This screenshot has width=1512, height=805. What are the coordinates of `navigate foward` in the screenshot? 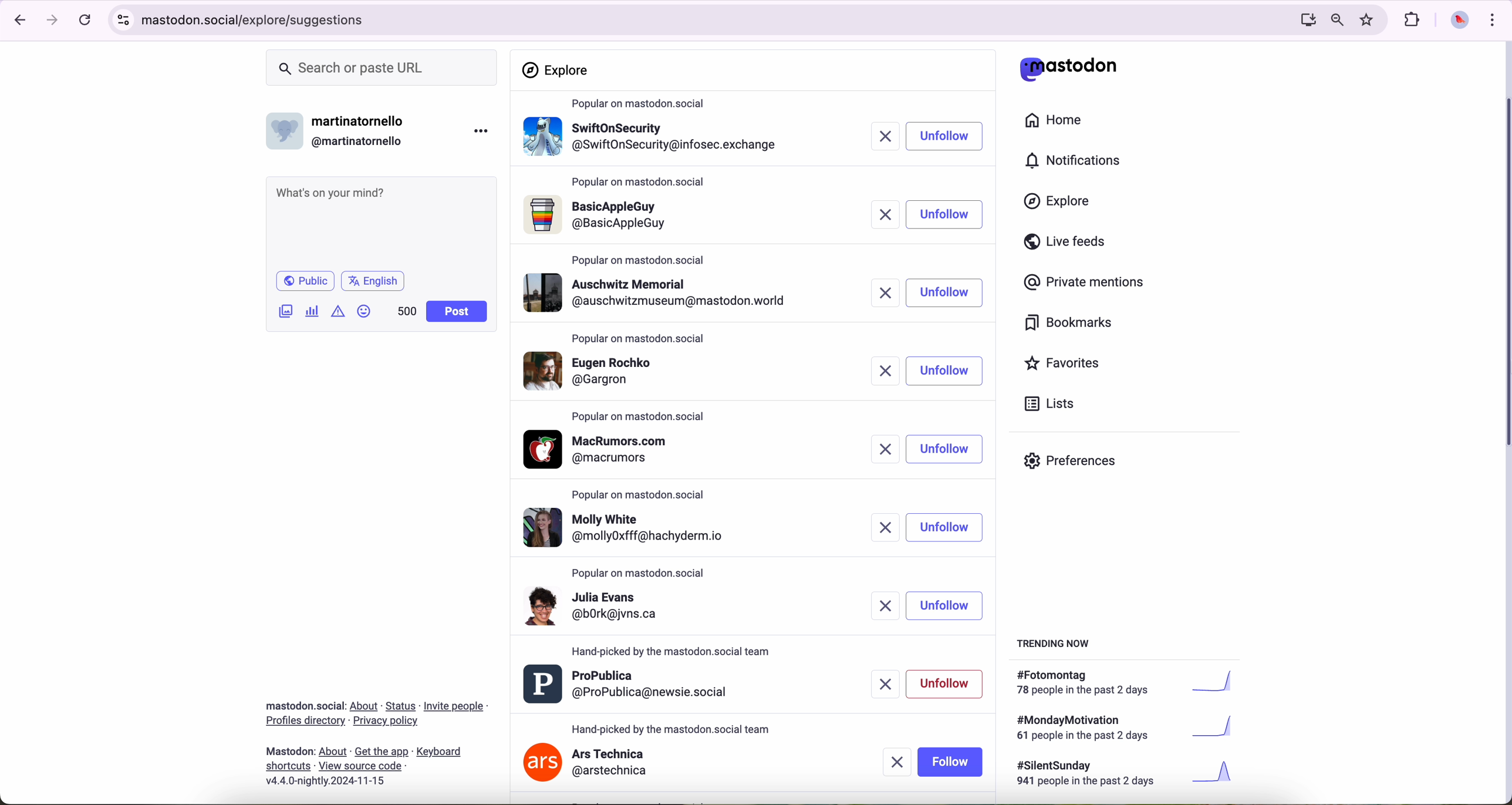 It's located at (53, 21).